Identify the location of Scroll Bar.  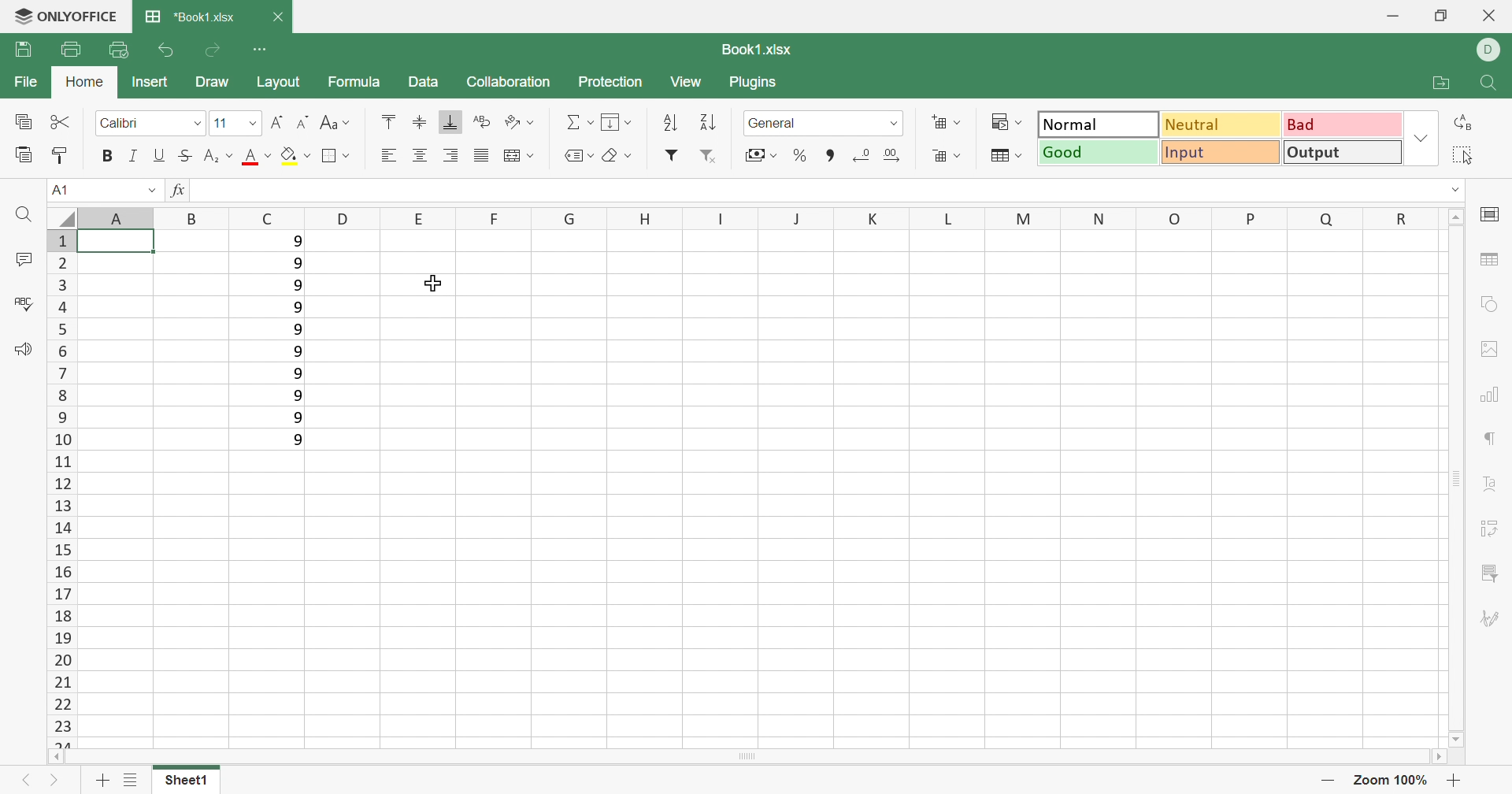
(1459, 479).